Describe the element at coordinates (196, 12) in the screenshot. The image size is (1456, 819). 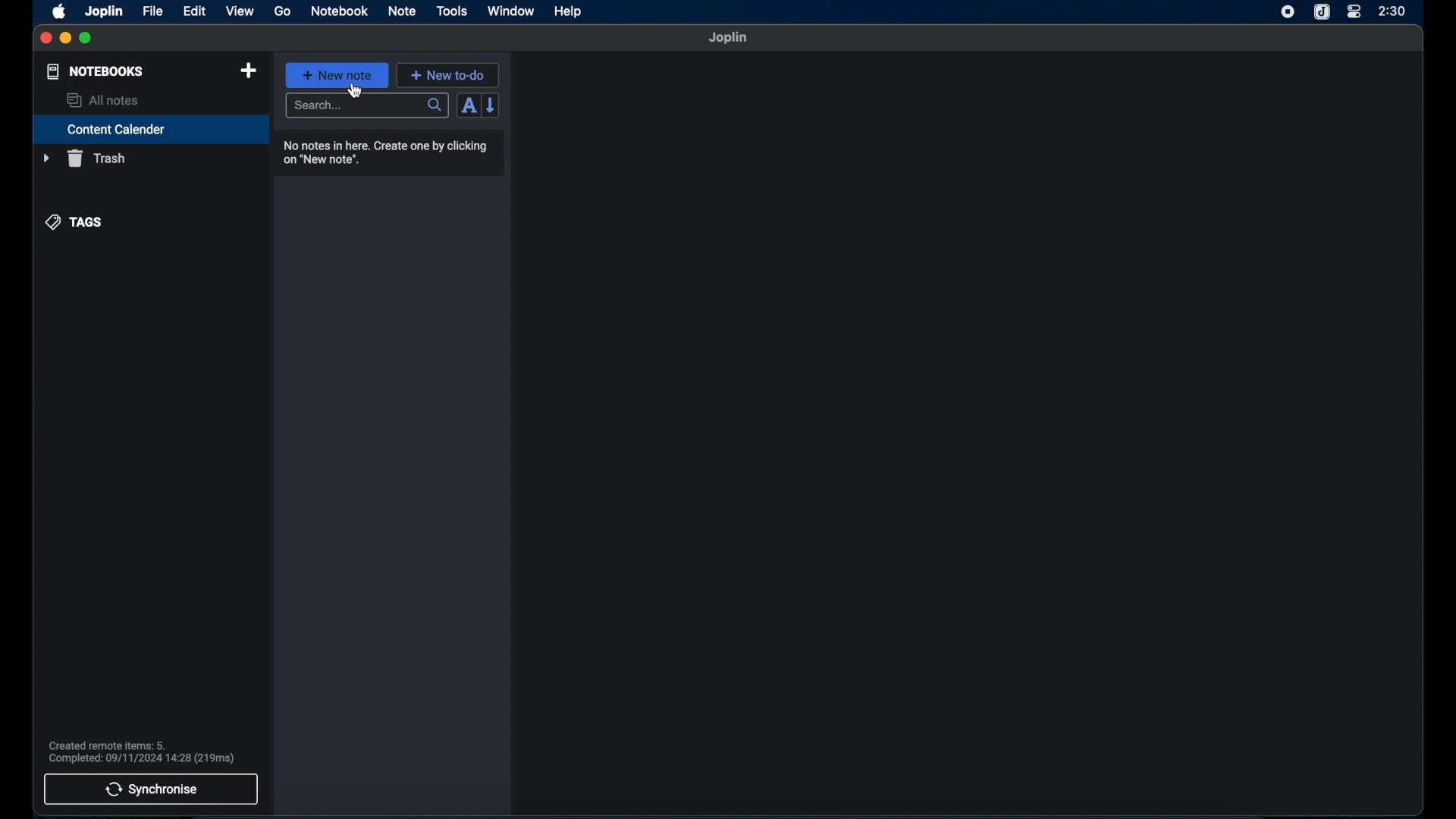
I see `edit` at that location.